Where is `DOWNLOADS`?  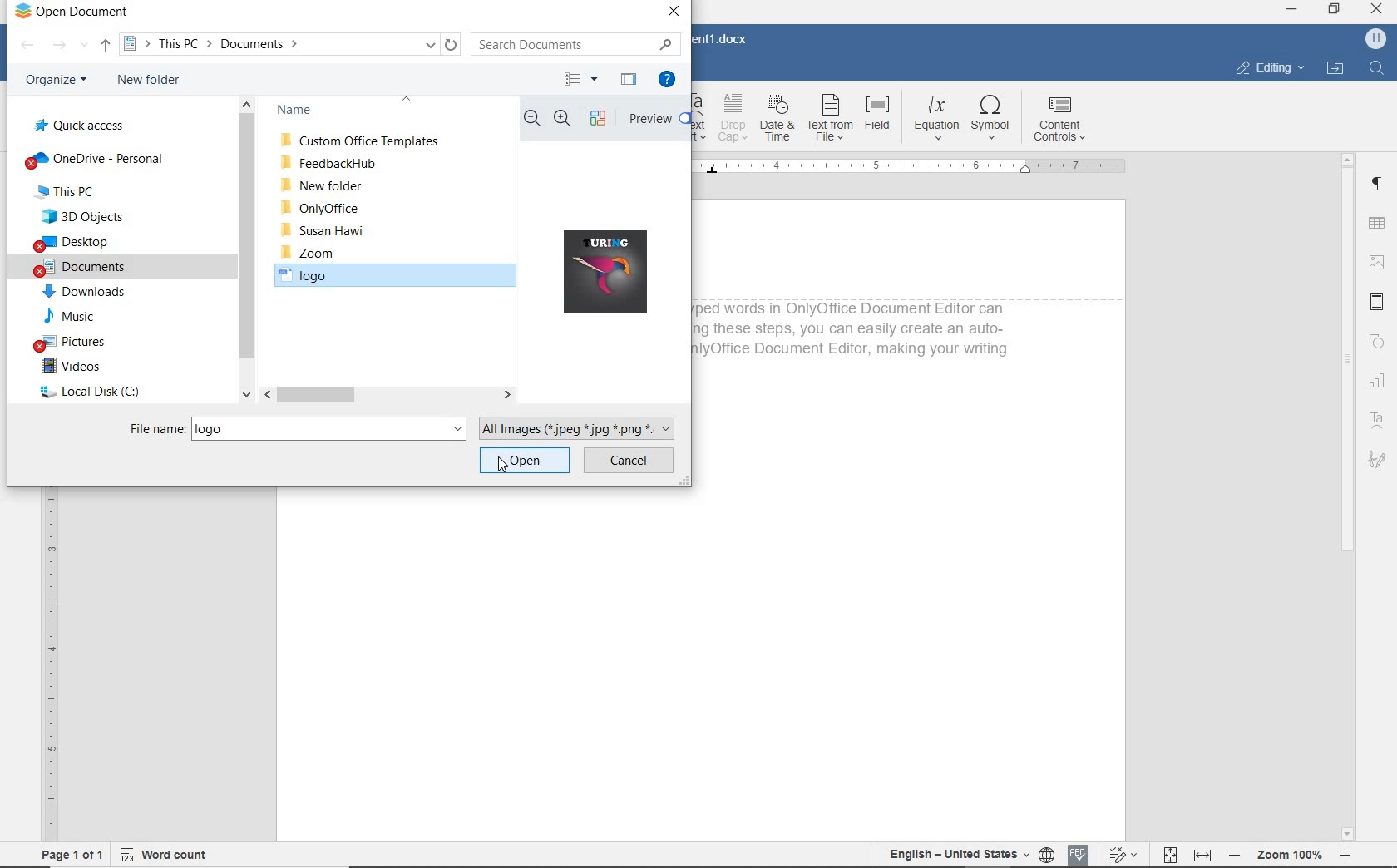
DOWNLOADS is located at coordinates (84, 293).